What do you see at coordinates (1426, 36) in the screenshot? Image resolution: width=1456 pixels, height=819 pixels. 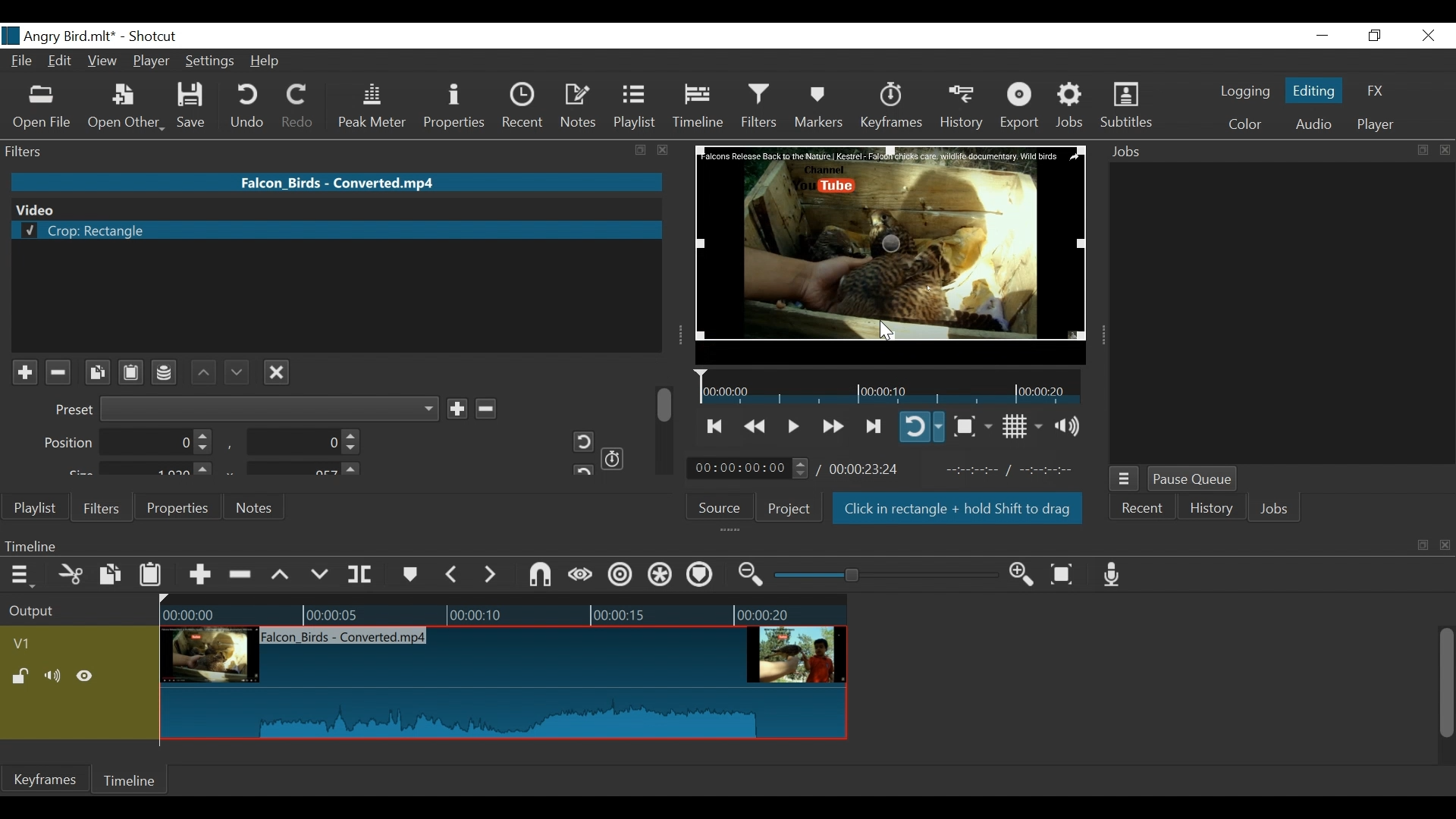 I see `Close` at bounding box center [1426, 36].